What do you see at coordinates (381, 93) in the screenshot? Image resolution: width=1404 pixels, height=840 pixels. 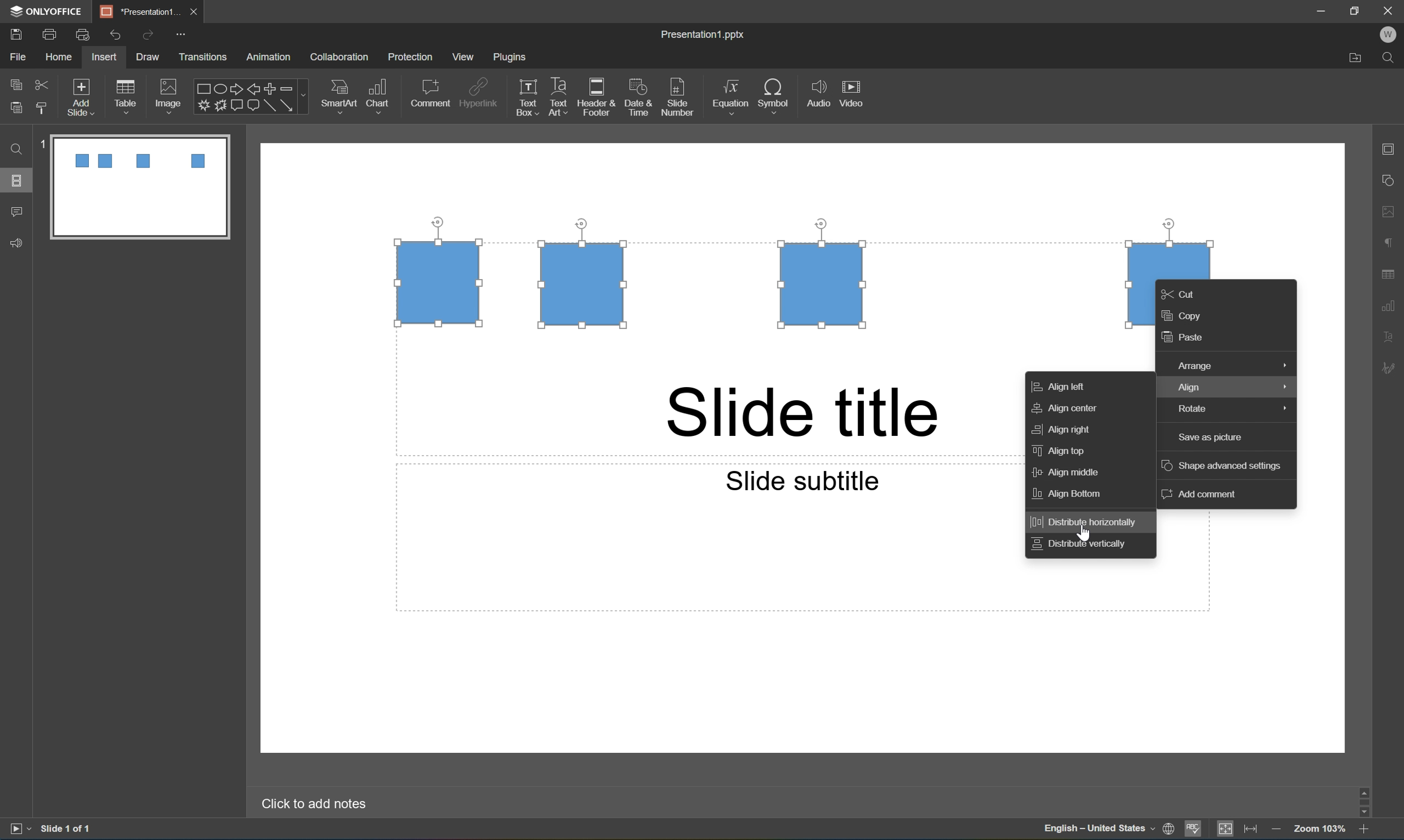 I see `chart` at bounding box center [381, 93].